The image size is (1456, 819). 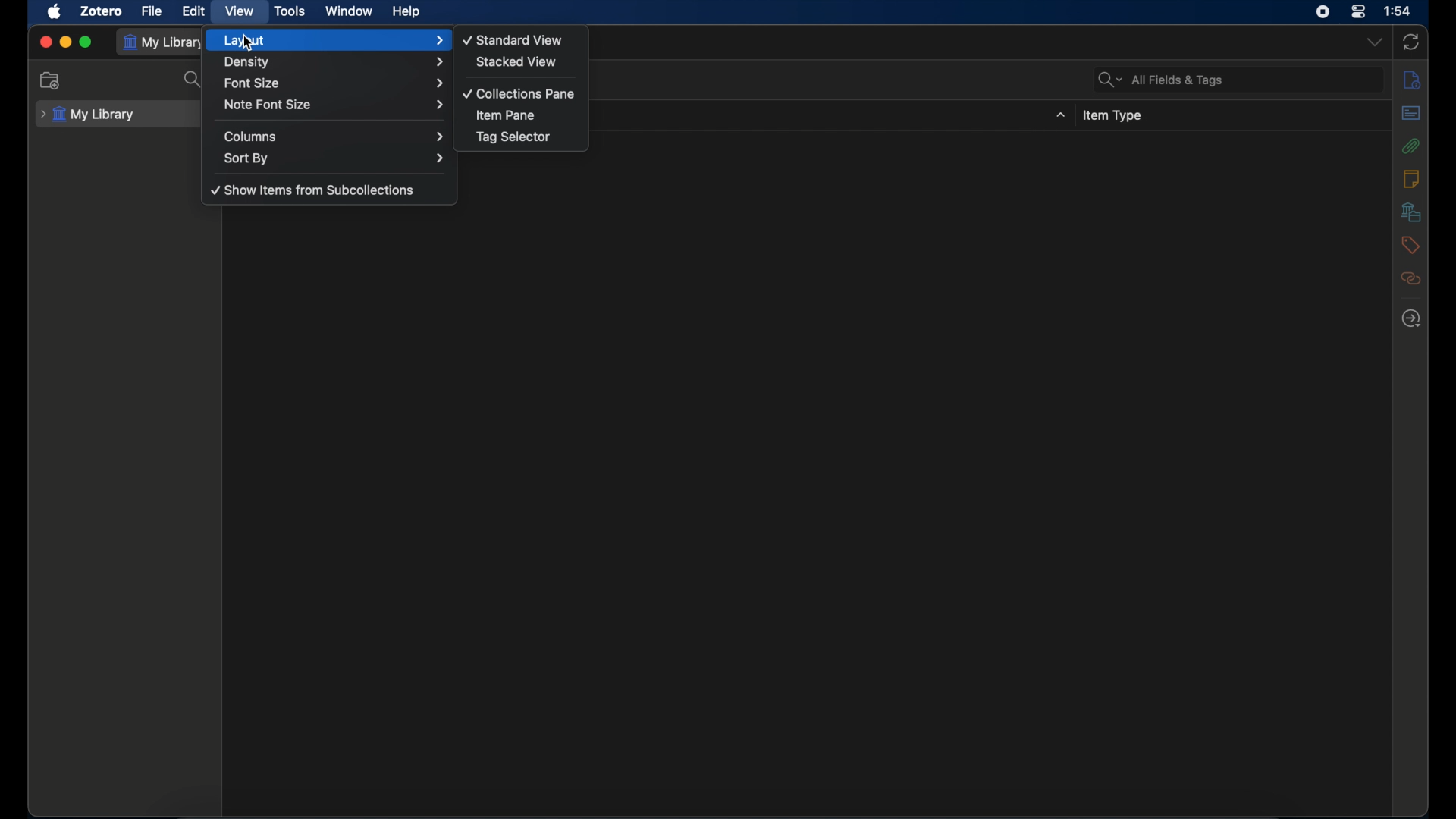 What do you see at coordinates (336, 40) in the screenshot?
I see `layout` at bounding box center [336, 40].